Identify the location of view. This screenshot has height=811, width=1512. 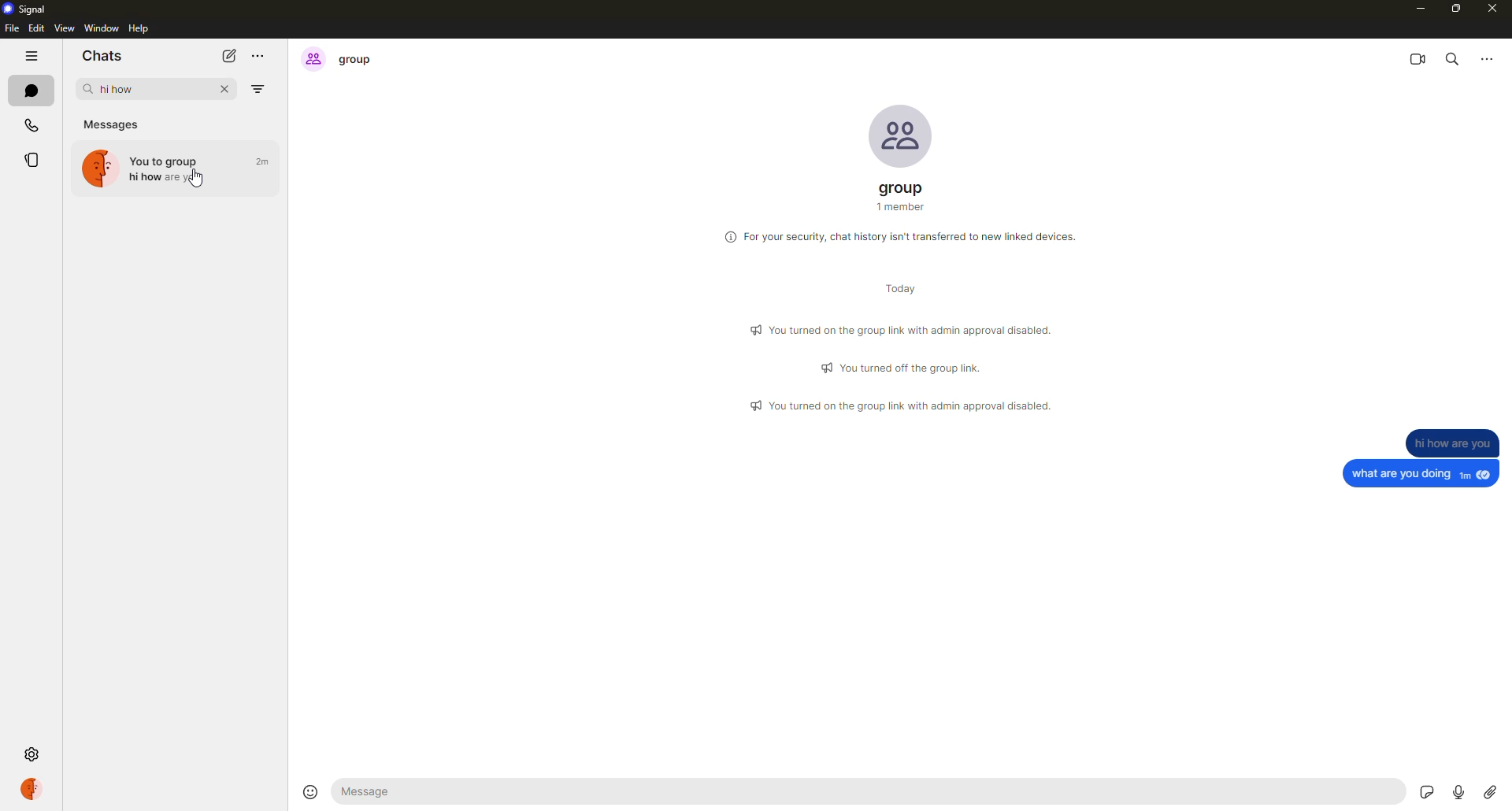
(65, 30).